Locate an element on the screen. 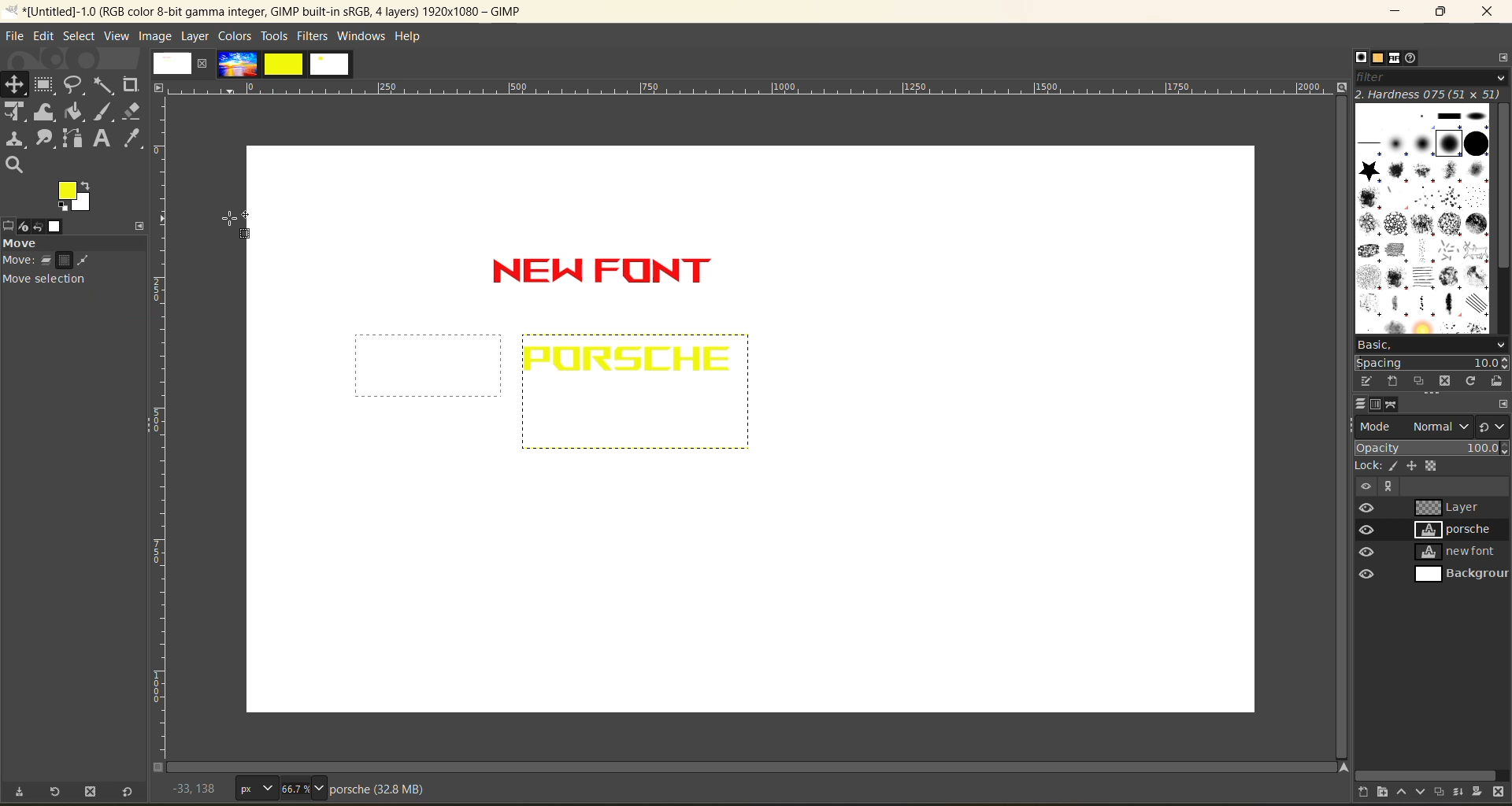  free select tool is located at coordinates (75, 86).